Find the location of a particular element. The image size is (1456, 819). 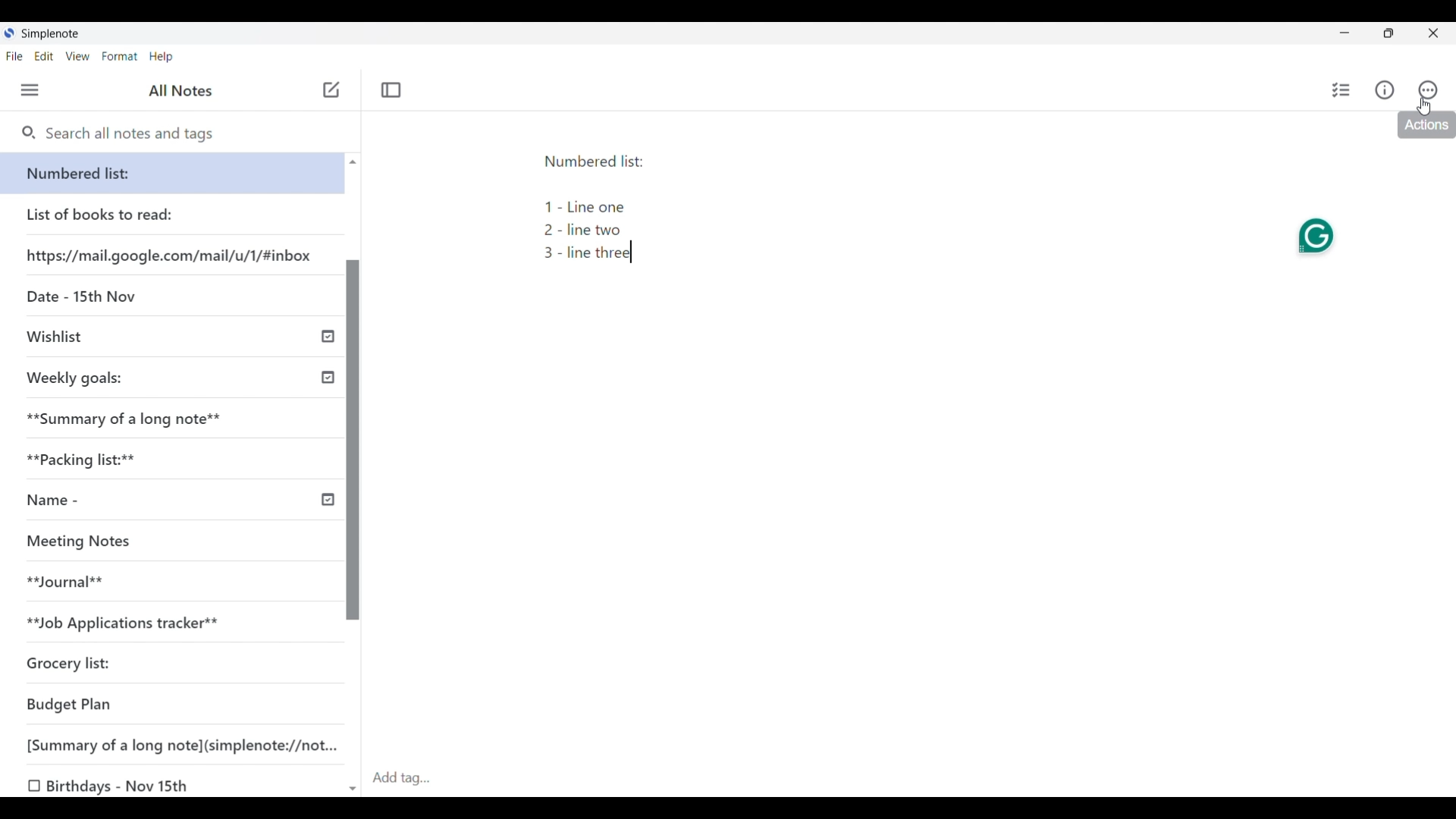

Close interface is located at coordinates (1432, 33).